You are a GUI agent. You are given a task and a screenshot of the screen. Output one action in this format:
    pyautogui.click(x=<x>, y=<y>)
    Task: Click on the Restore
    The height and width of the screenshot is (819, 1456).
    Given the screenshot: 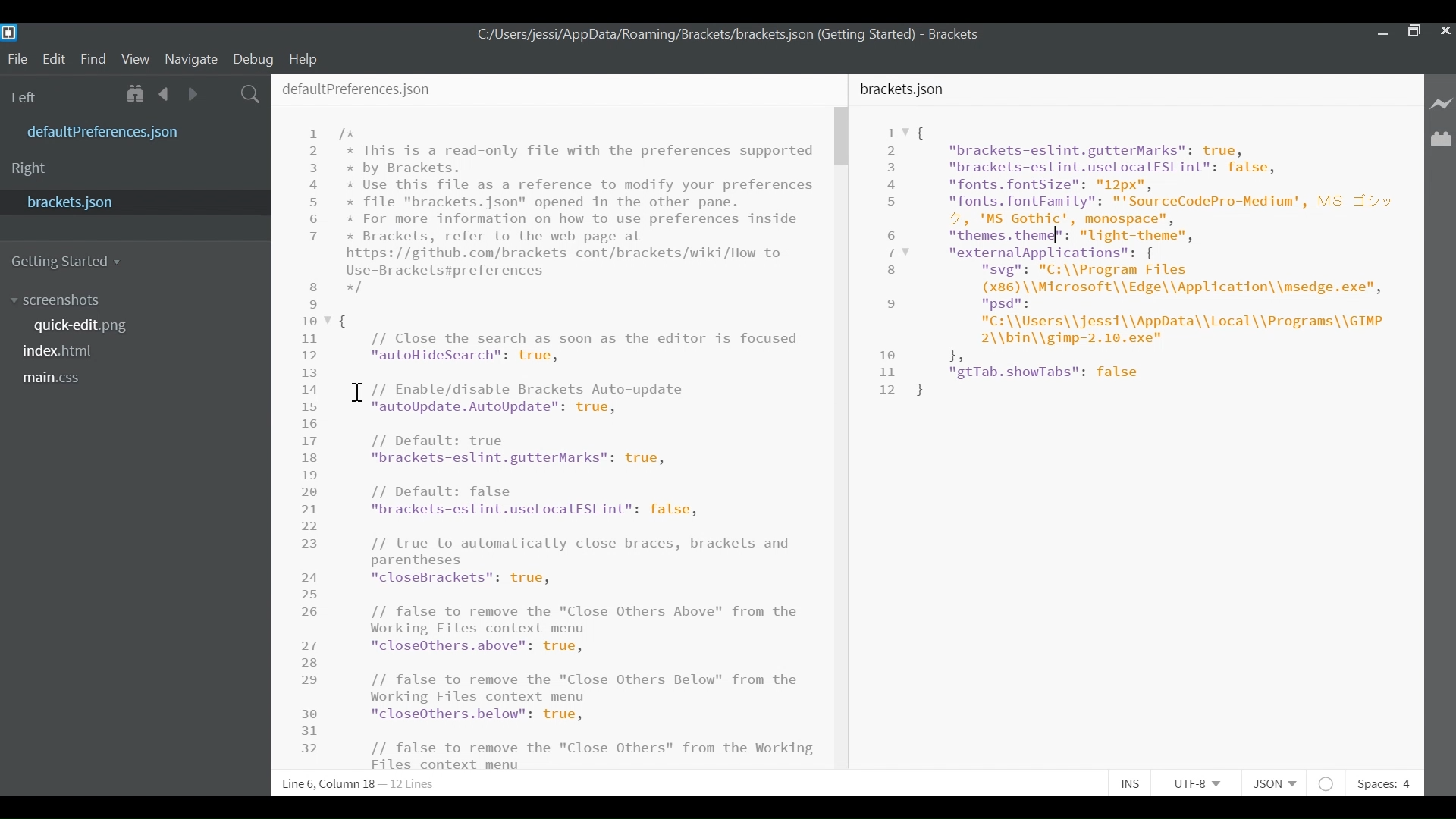 What is the action you would take?
    pyautogui.click(x=1414, y=30)
    